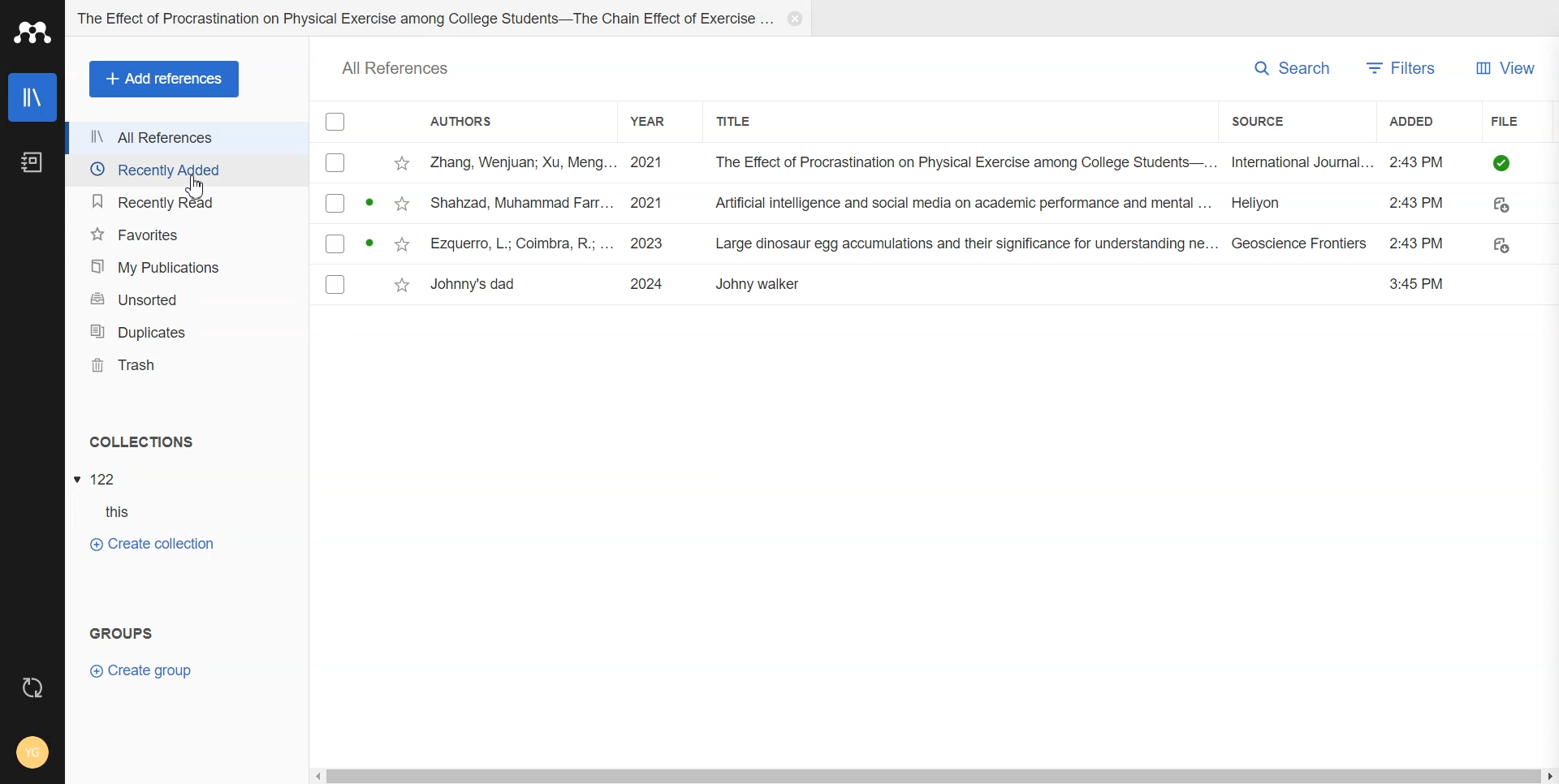  Describe the element at coordinates (32, 686) in the screenshot. I see `Auto Sync` at that location.